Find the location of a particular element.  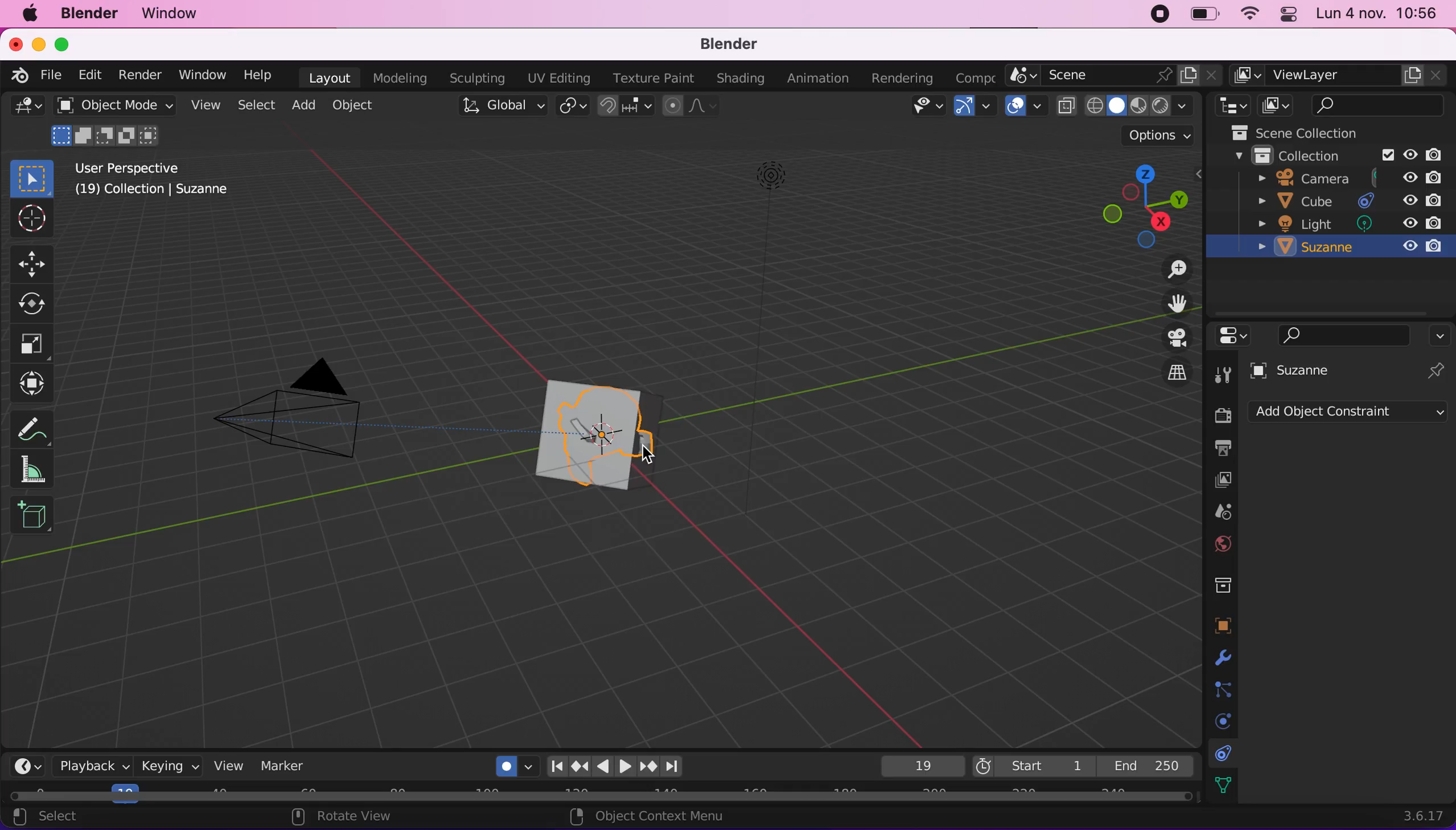

annotate is located at coordinates (32, 428).